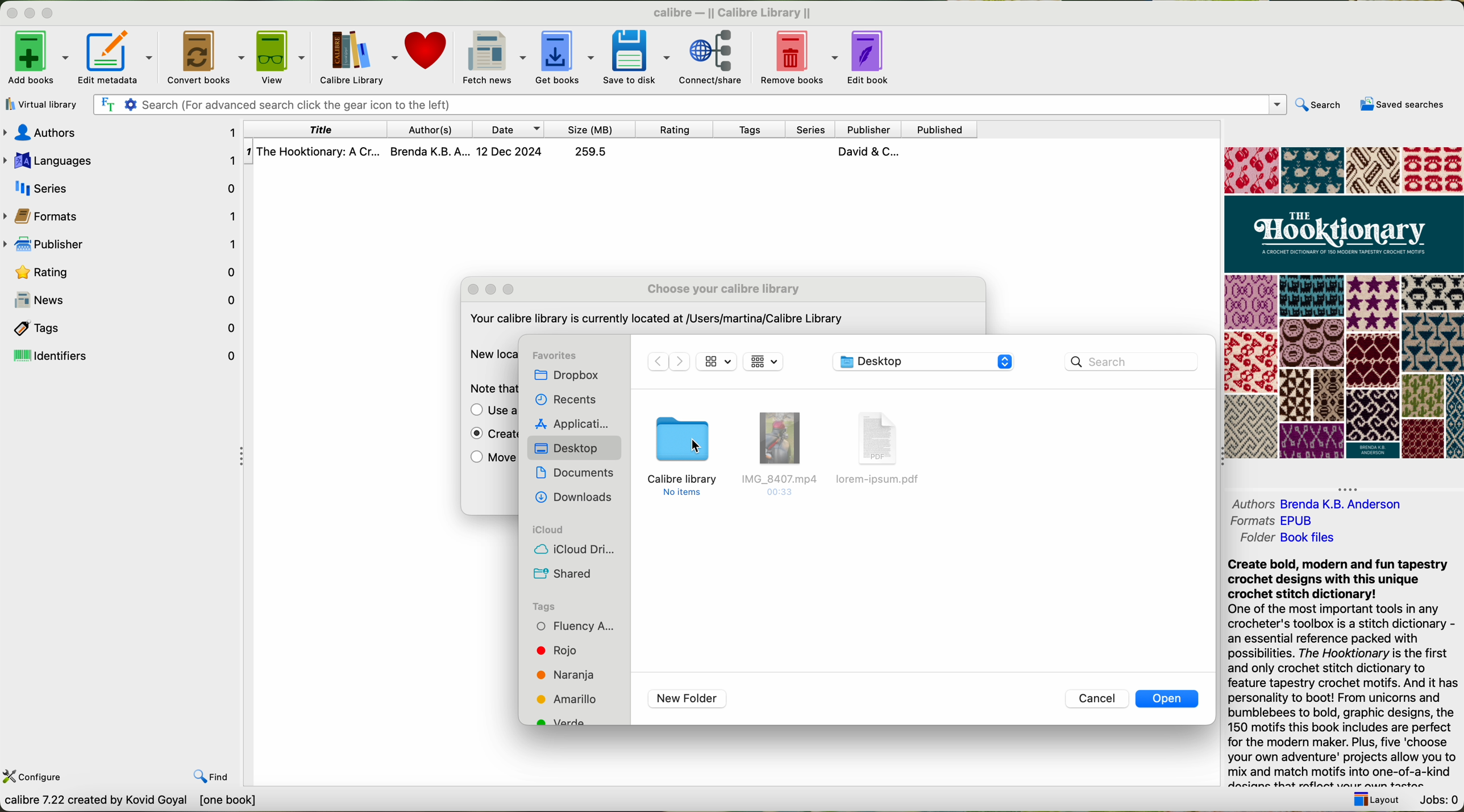 The height and width of the screenshot is (812, 1464). Describe the element at coordinates (575, 551) in the screenshot. I see `icloud drive` at that location.